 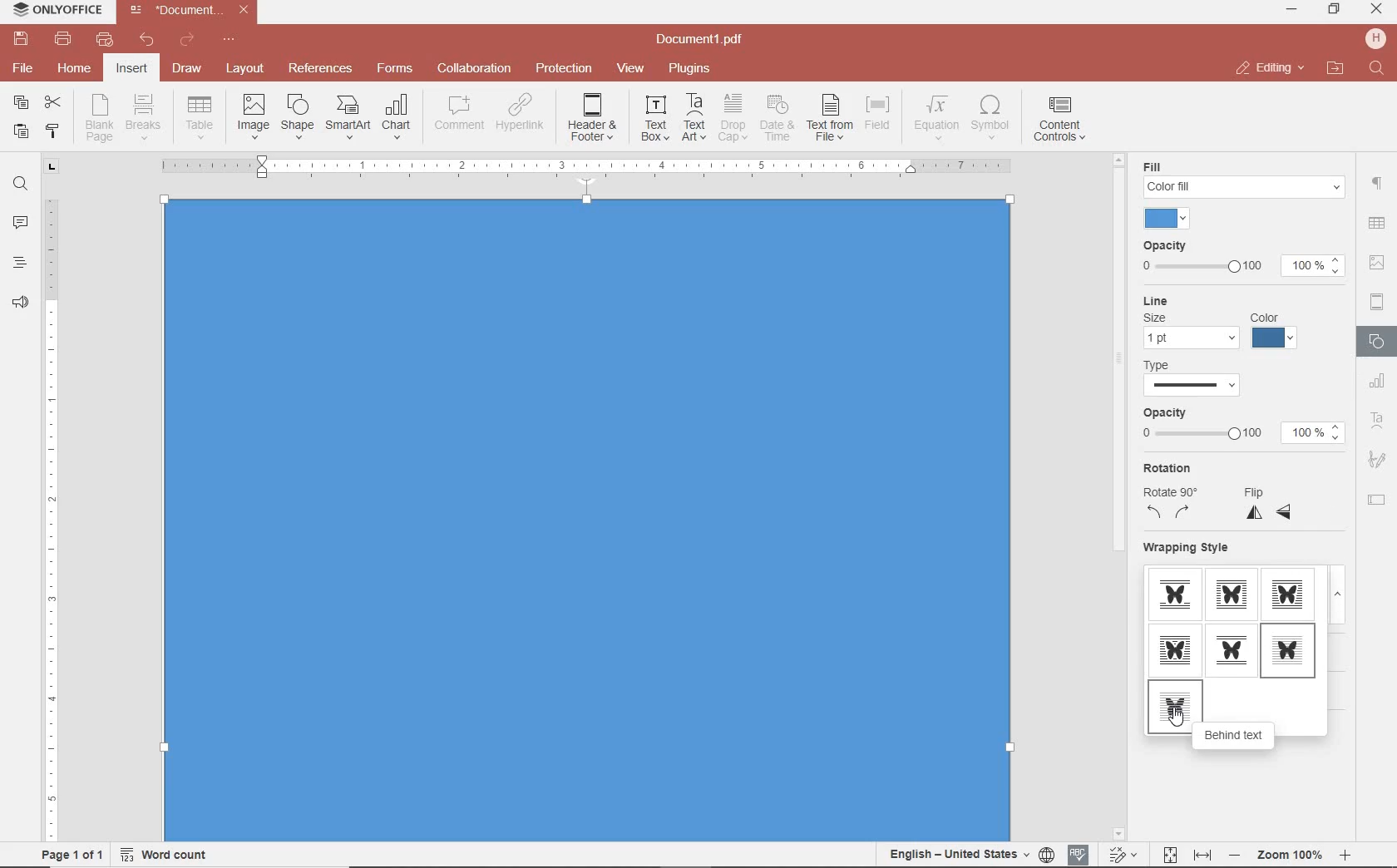 What do you see at coordinates (193, 10) in the screenshot?
I see `file name` at bounding box center [193, 10].